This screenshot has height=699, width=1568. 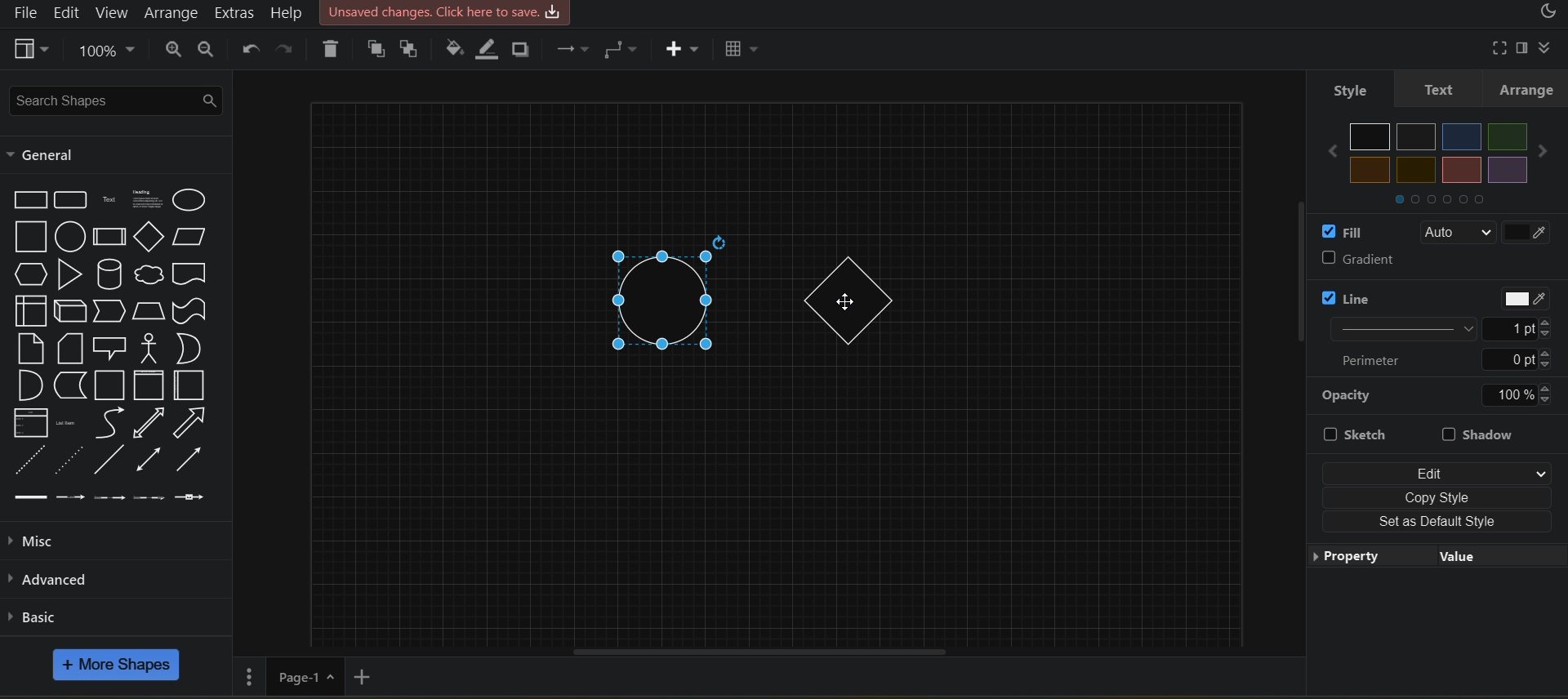 I want to click on arrange, so click(x=1521, y=89).